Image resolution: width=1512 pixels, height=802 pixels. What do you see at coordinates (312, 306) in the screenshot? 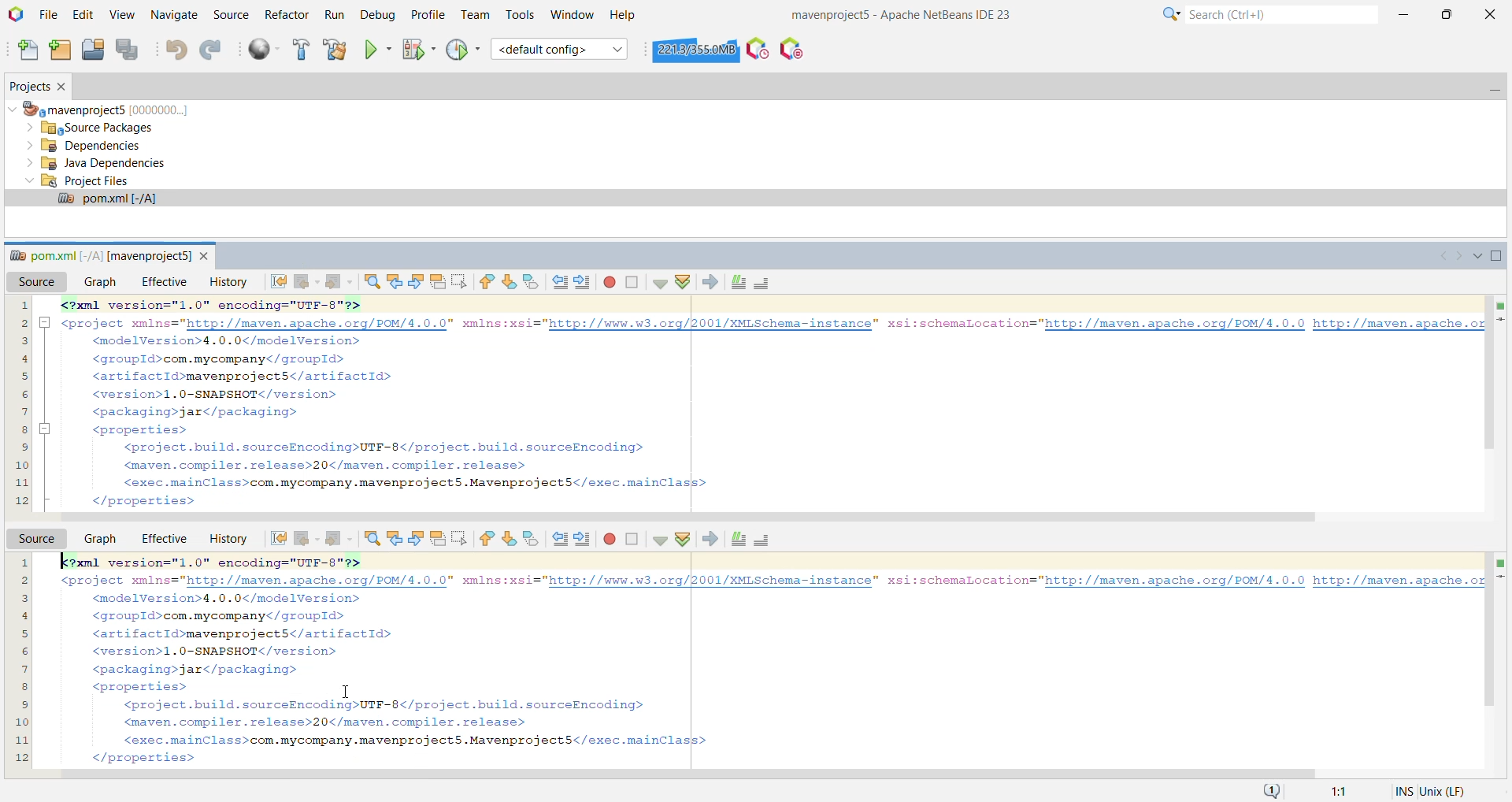
I see `<?xml version="1.0" encoding="UTF-8"?>` at bounding box center [312, 306].